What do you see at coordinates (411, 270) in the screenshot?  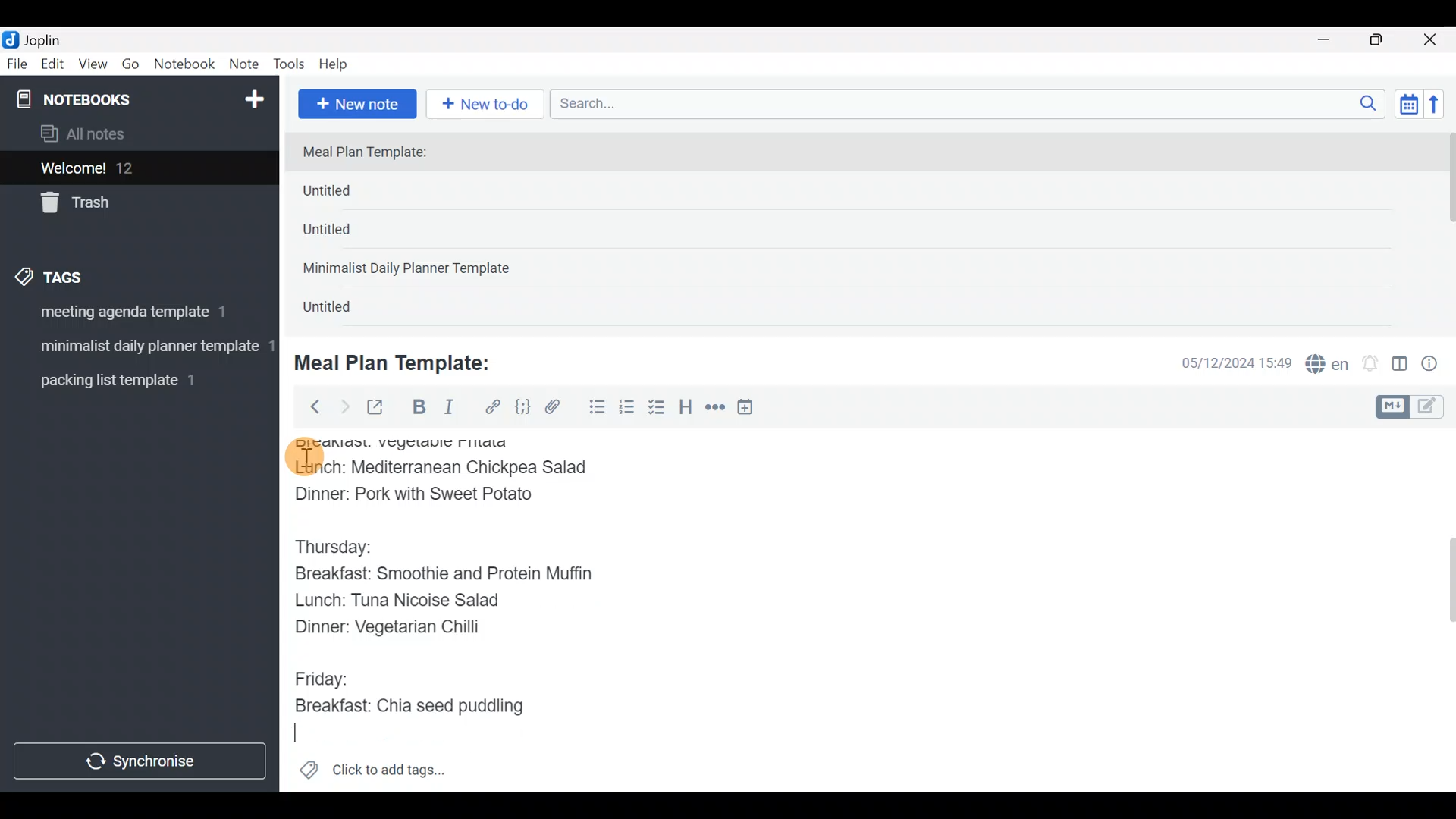 I see `Minimalist Daily Planner Template` at bounding box center [411, 270].